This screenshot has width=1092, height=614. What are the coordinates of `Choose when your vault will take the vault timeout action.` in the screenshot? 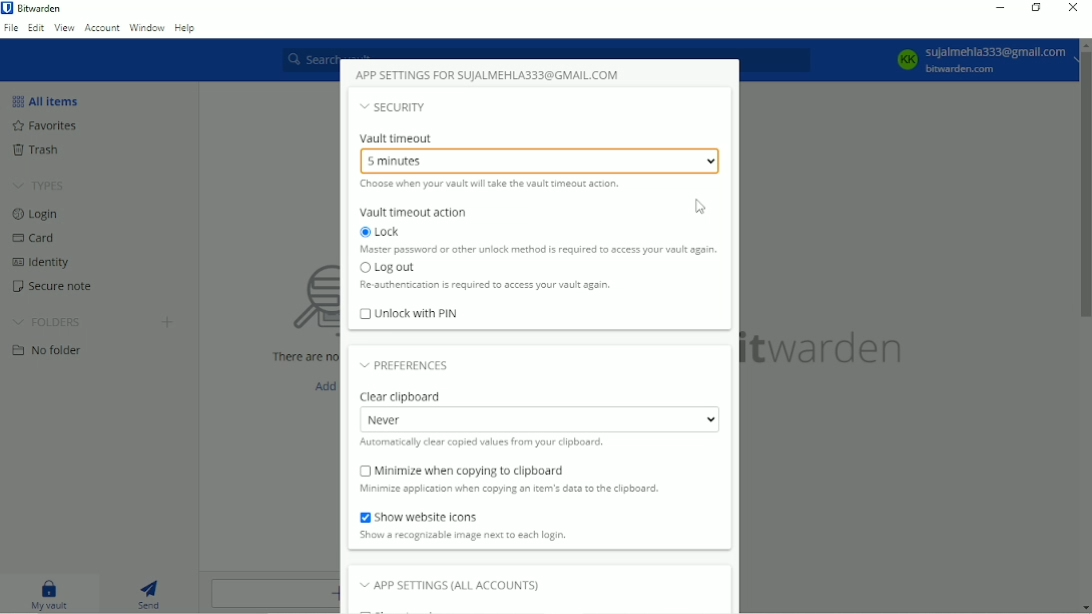 It's located at (485, 186).